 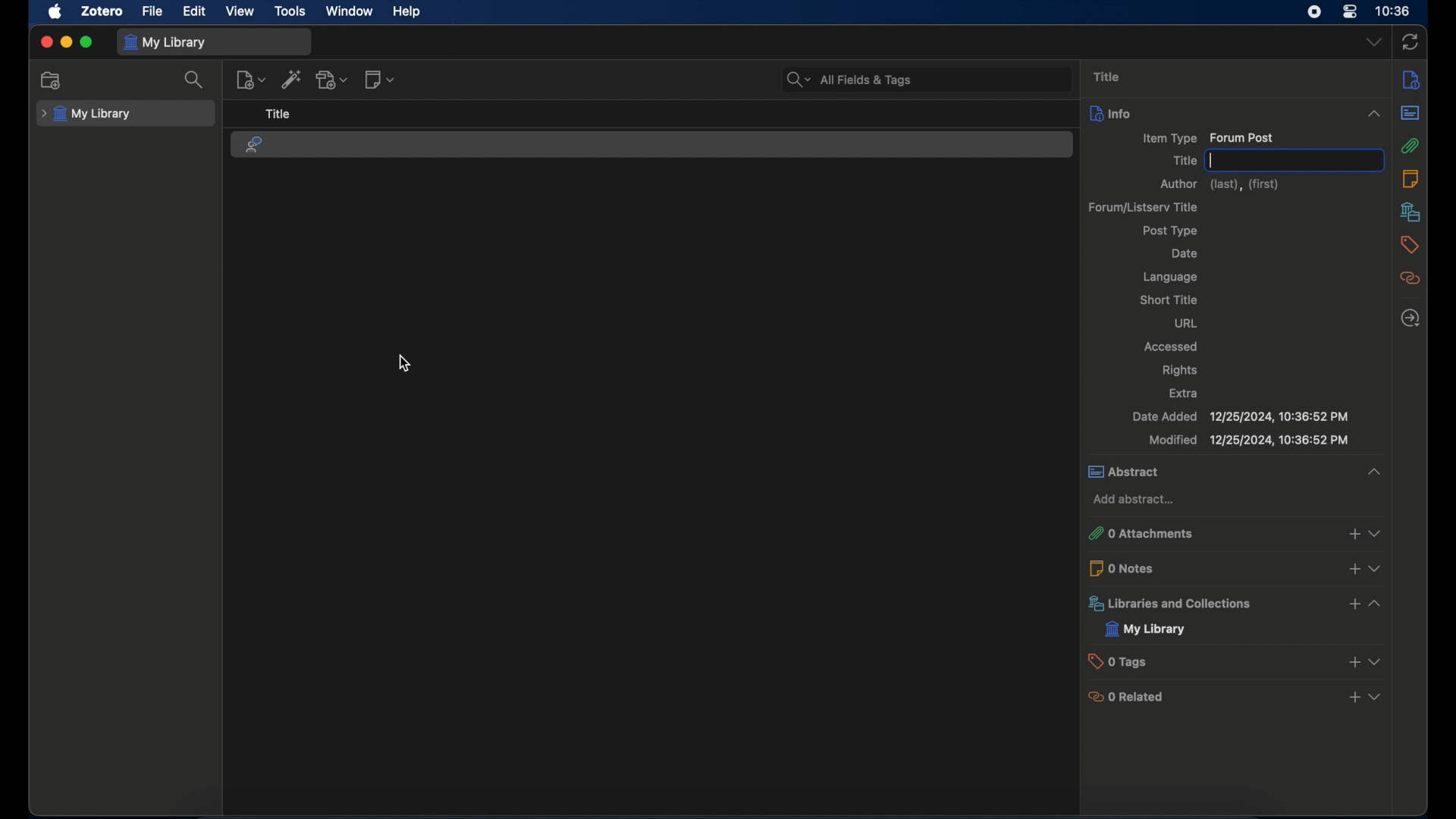 What do you see at coordinates (255, 145) in the screenshot?
I see `forum post` at bounding box center [255, 145].